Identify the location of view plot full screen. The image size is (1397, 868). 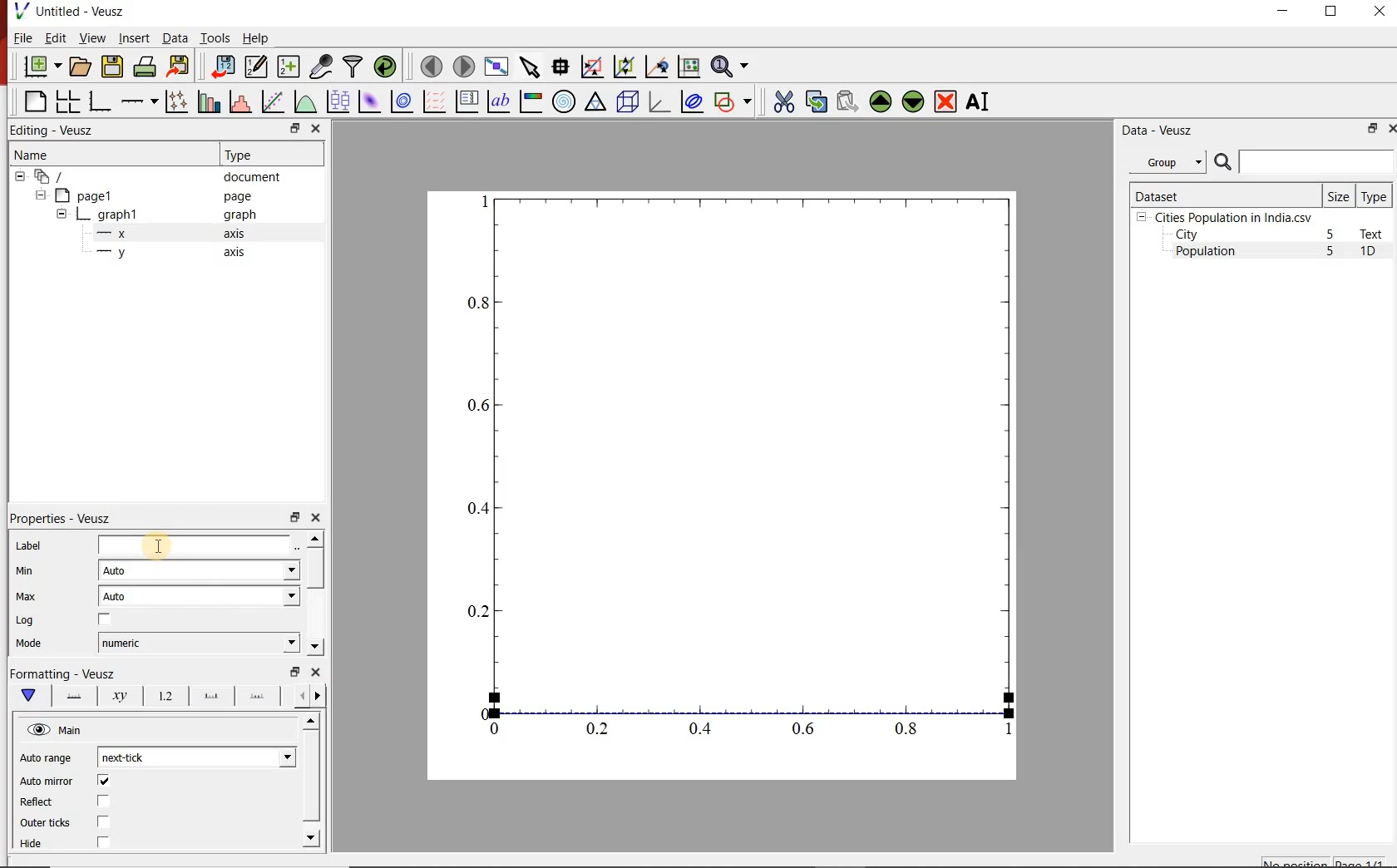
(496, 67).